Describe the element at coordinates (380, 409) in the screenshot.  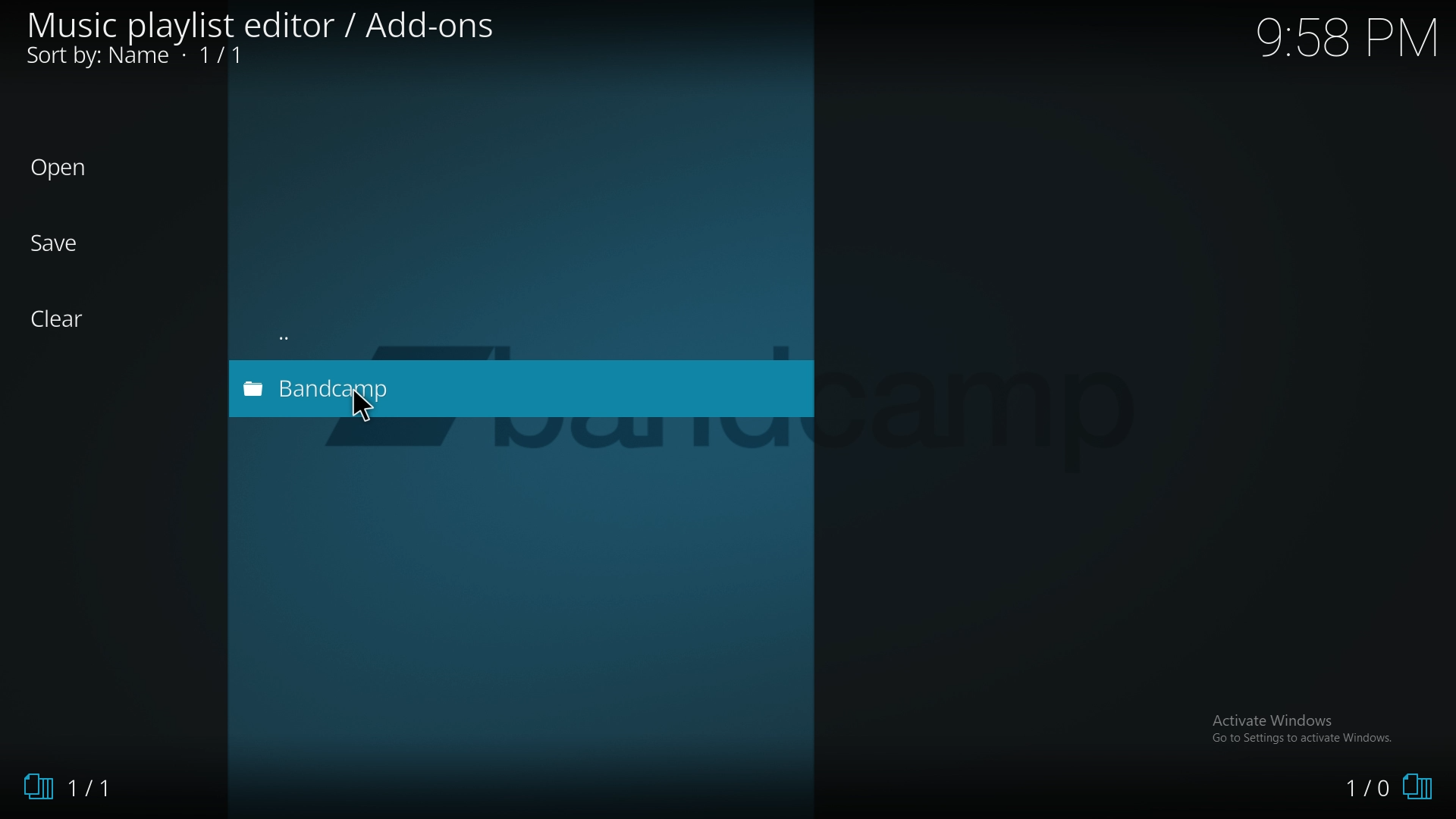
I see `Pointer Cursor` at that location.